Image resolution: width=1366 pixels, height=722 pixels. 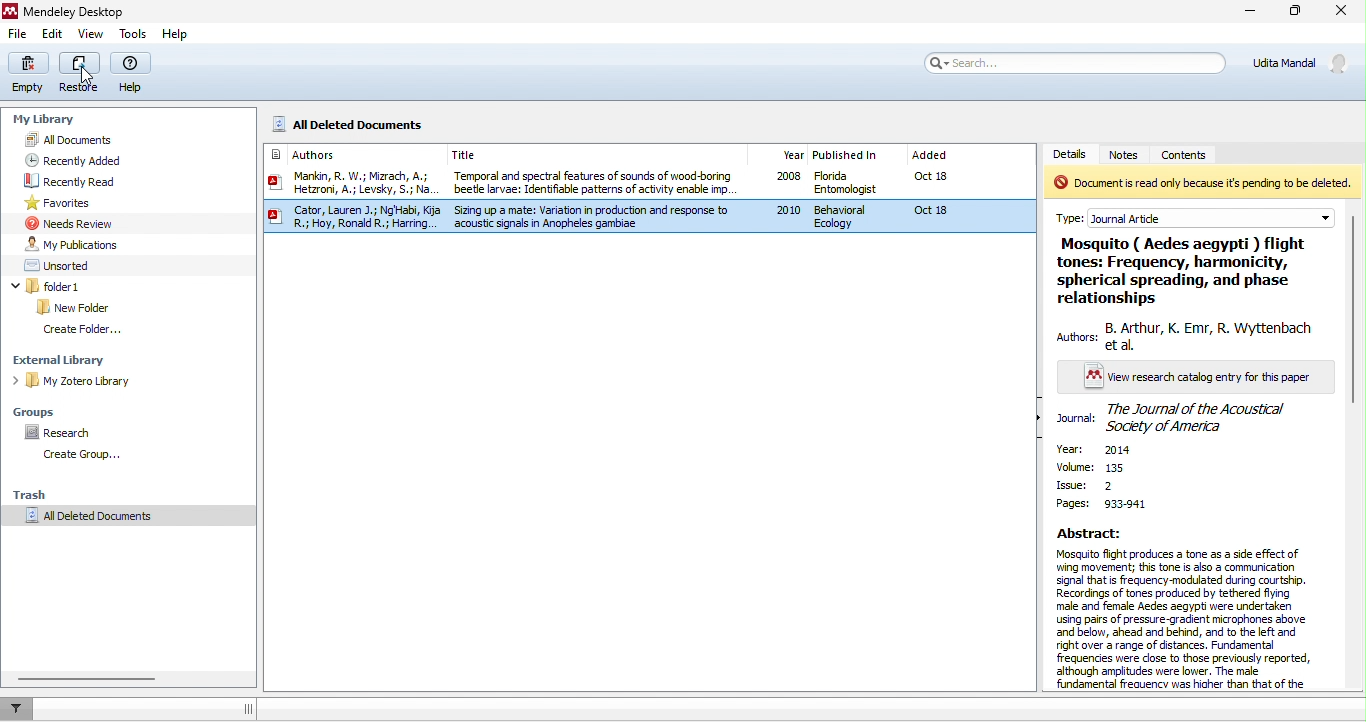 I want to click on Title

‘Temporal and spectral features of sounds of wood boring

beetle larvae: Identfiable pattems of activity enable mp.
ja Sng up a mate: Variation n production and response to
acoustic signals in Anopheles gambiae, so click(x=600, y=189).